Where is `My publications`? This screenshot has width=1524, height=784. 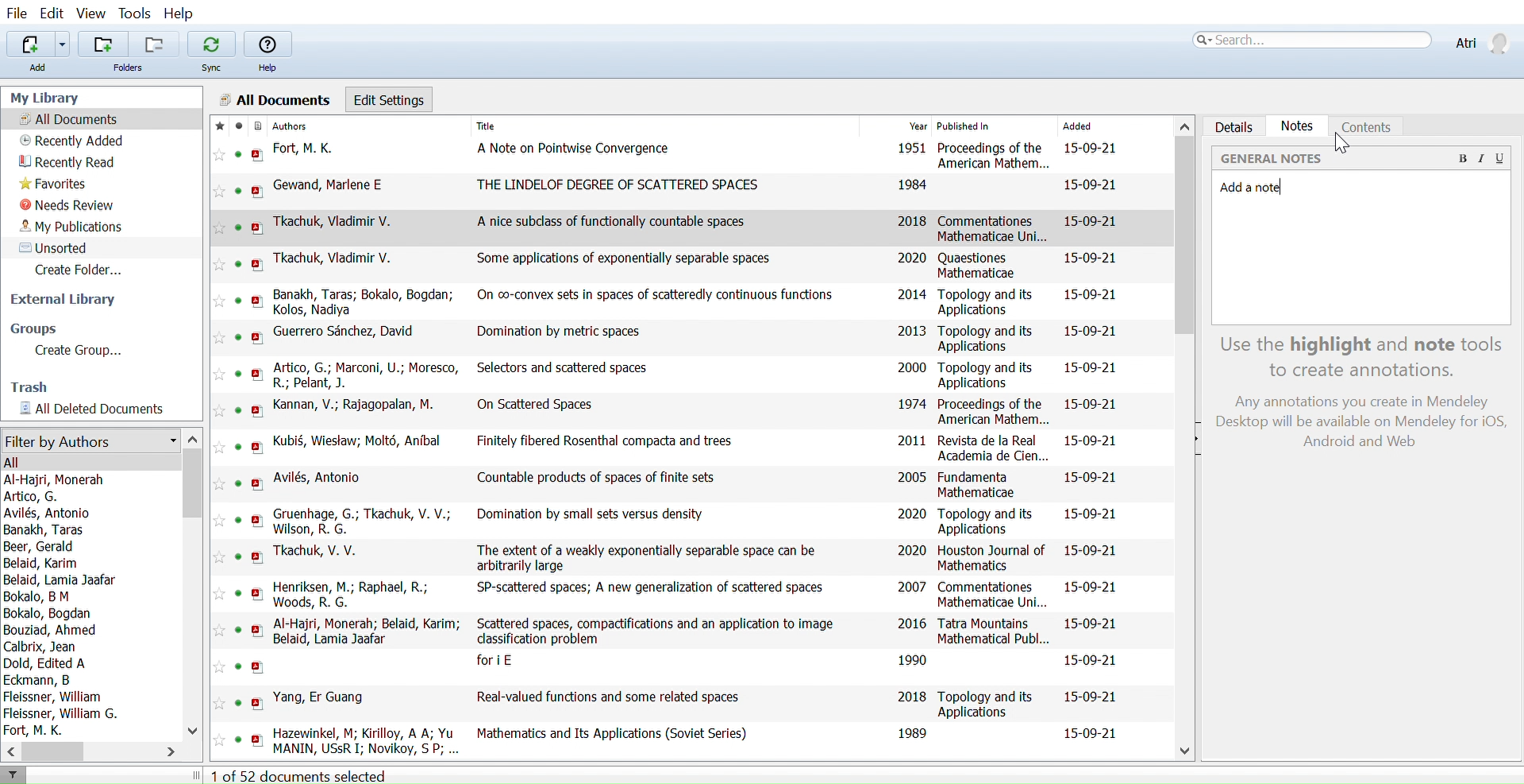 My publications is located at coordinates (73, 227).